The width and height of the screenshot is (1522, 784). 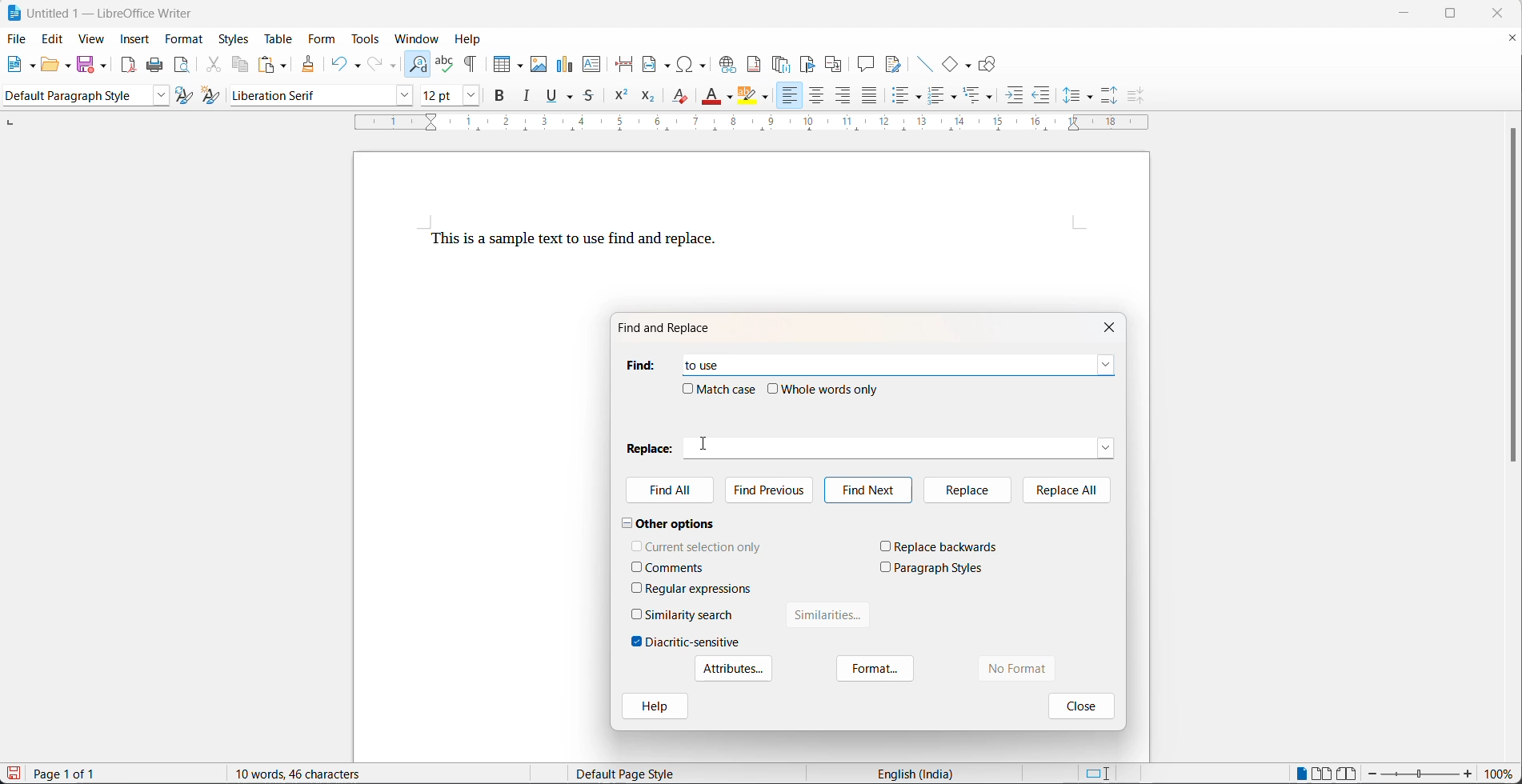 I want to click on export as pdf, so click(x=128, y=64).